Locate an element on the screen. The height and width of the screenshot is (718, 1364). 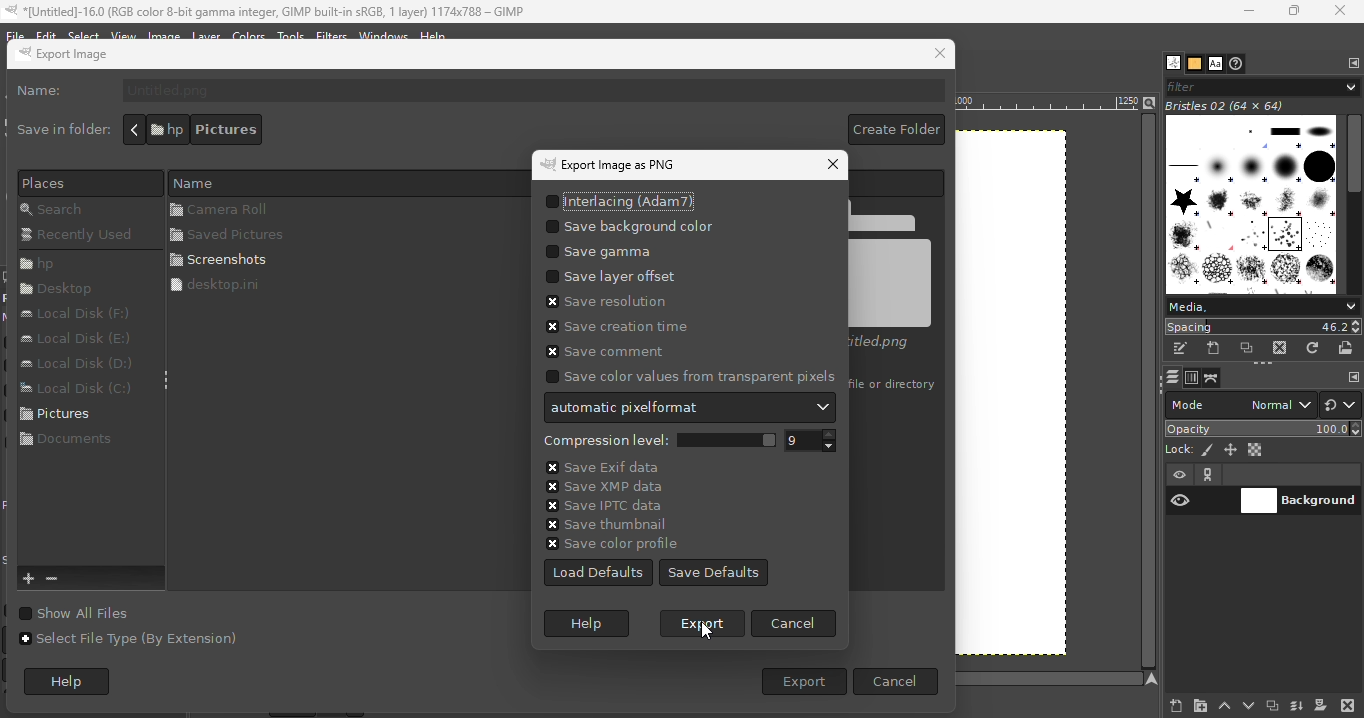
Local dsk (D:) is located at coordinates (81, 363).